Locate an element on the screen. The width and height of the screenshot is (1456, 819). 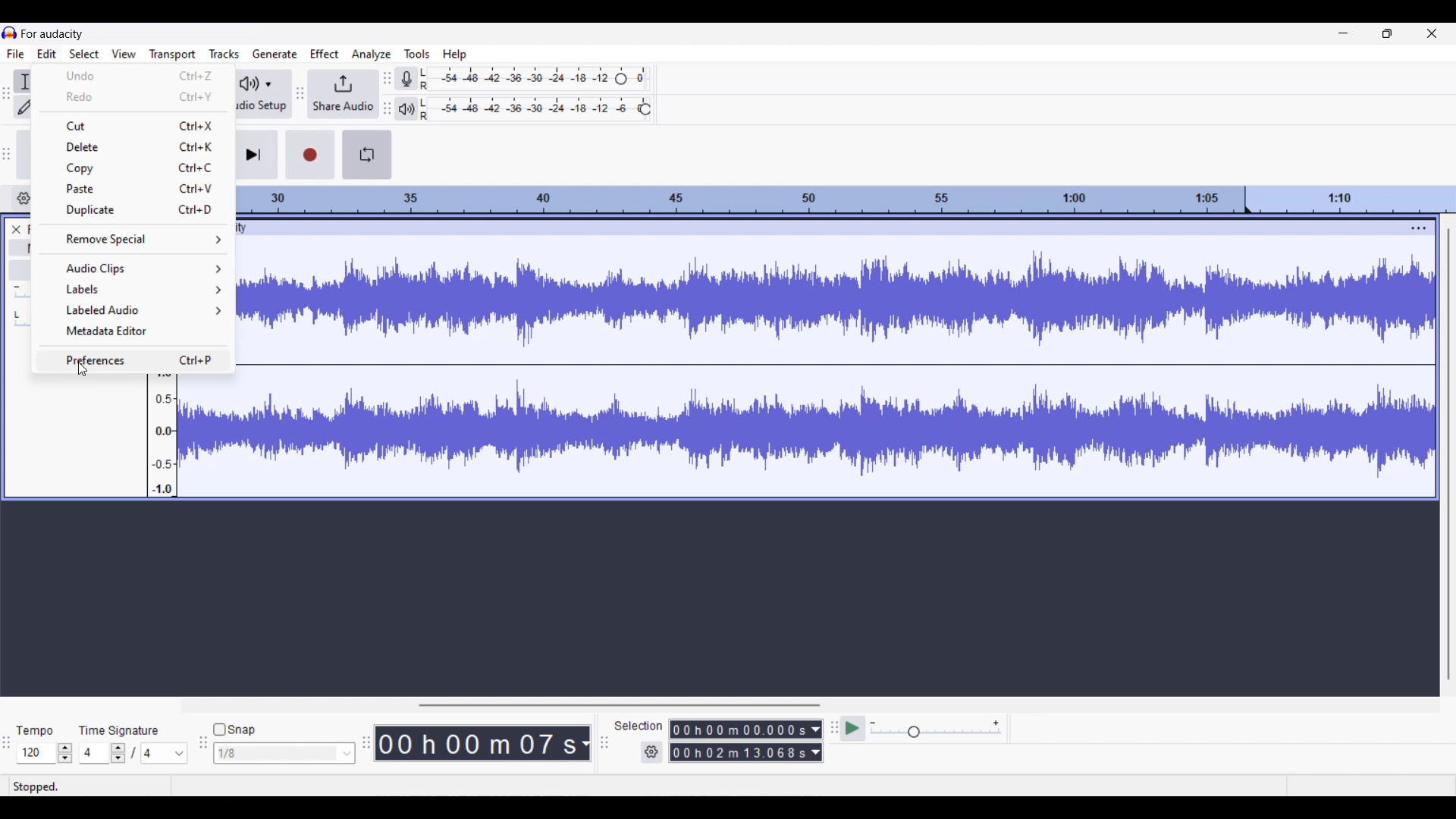
Current track is located at coordinates (824, 359).